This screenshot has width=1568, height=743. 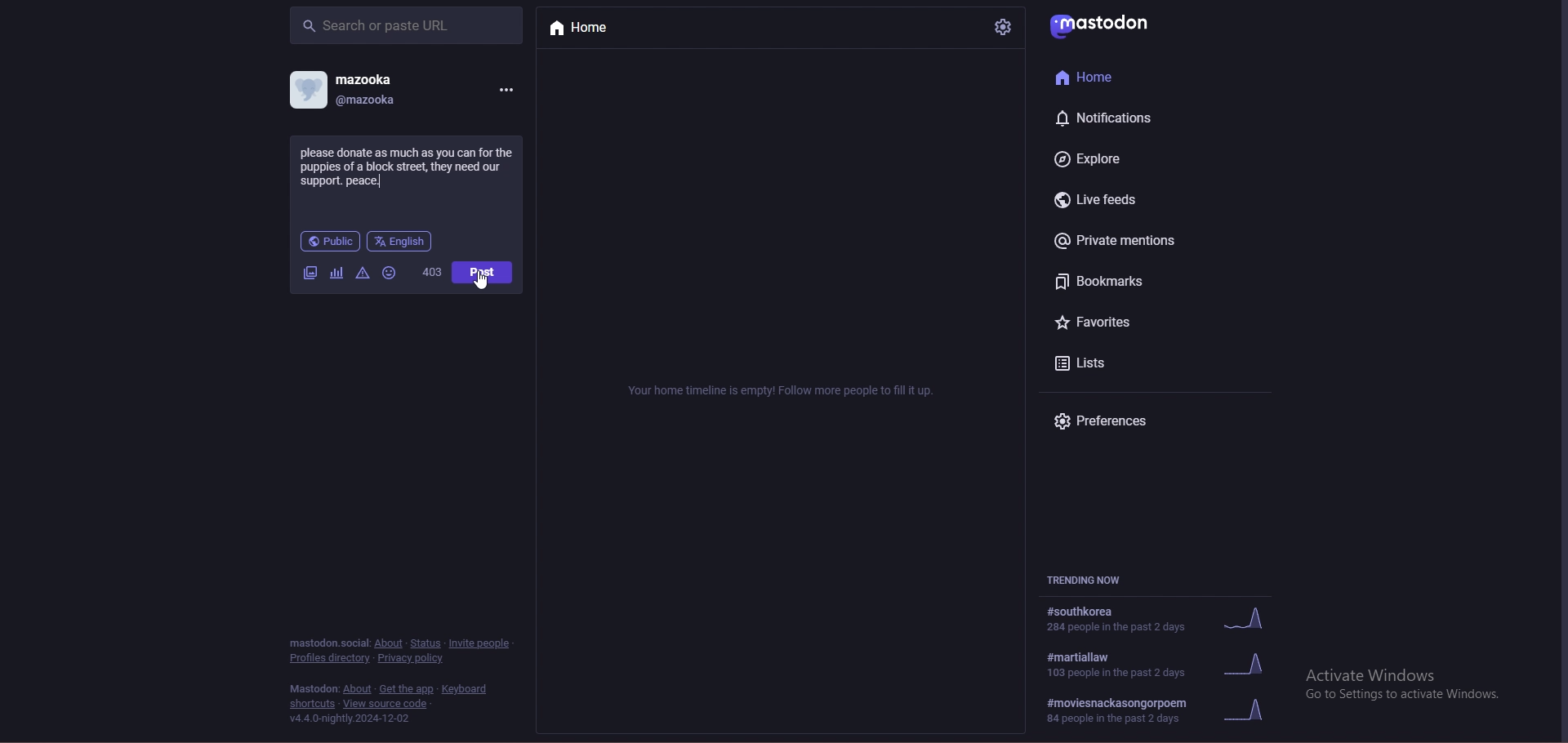 What do you see at coordinates (1134, 159) in the screenshot?
I see `explore` at bounding box center [1134, 159].